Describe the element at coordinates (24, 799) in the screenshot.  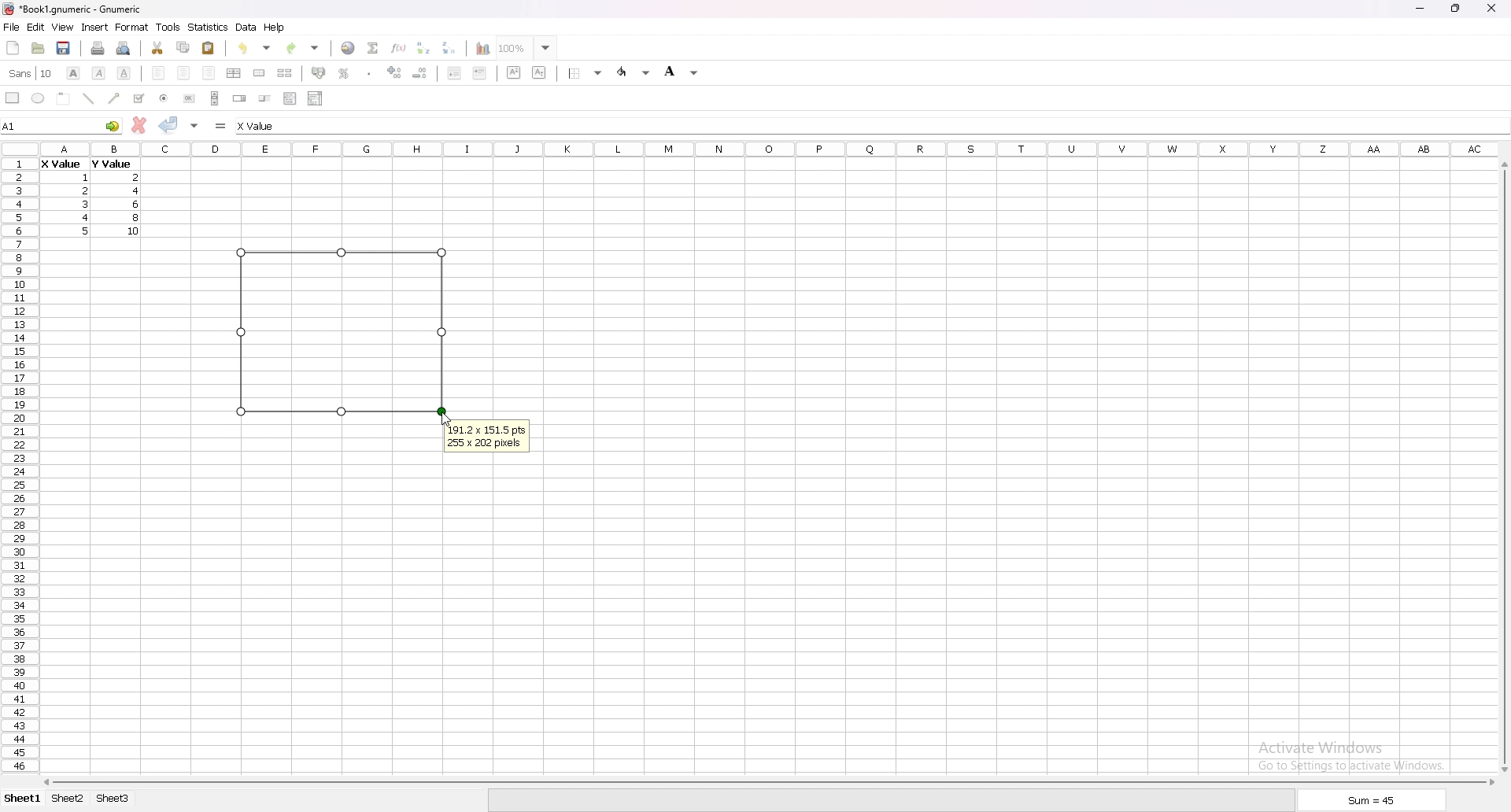
I see `sheet 1` at that location.